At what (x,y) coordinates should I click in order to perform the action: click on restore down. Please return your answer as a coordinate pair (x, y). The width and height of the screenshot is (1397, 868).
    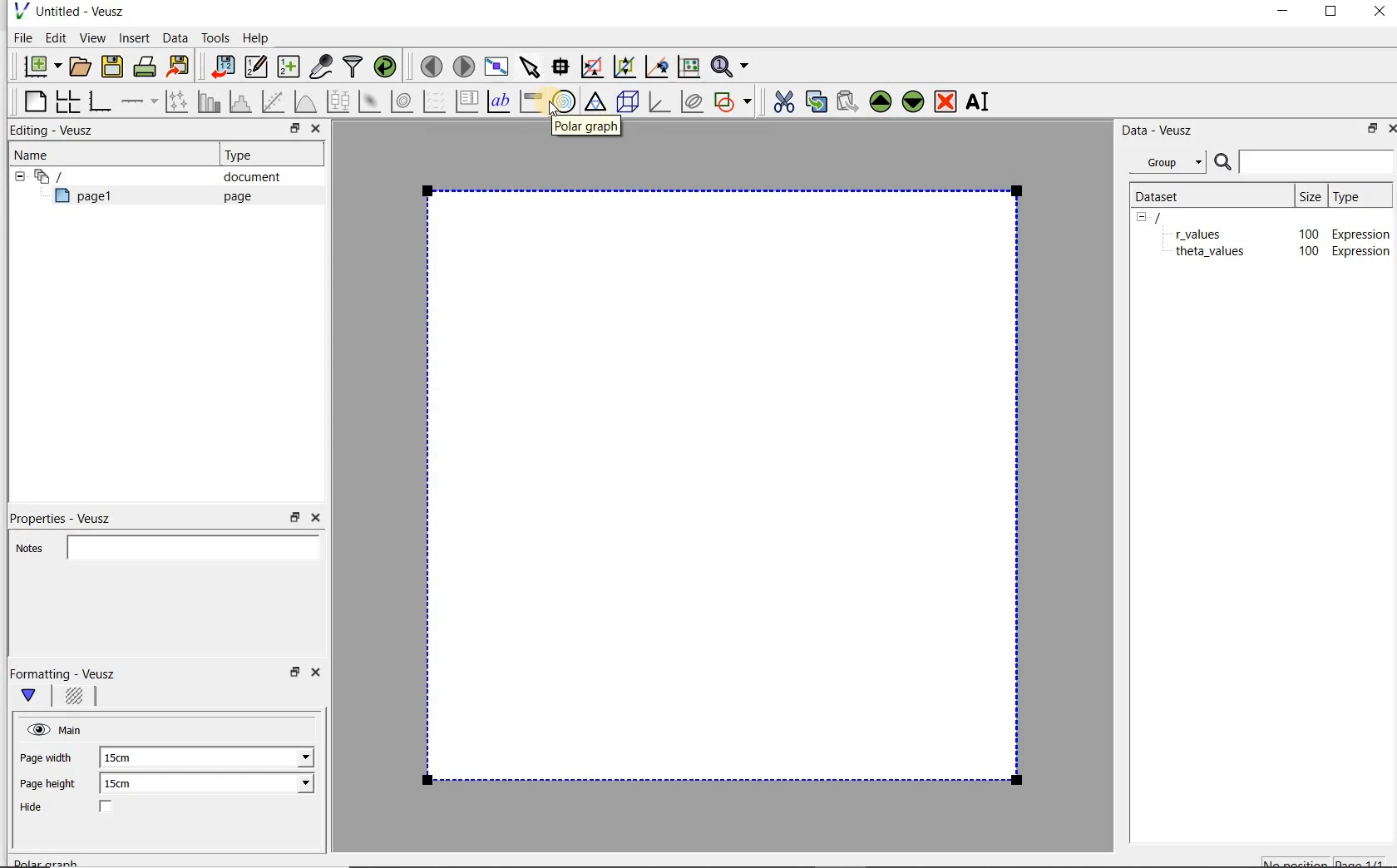
    Looking at the image, I should click on (1368, 131).